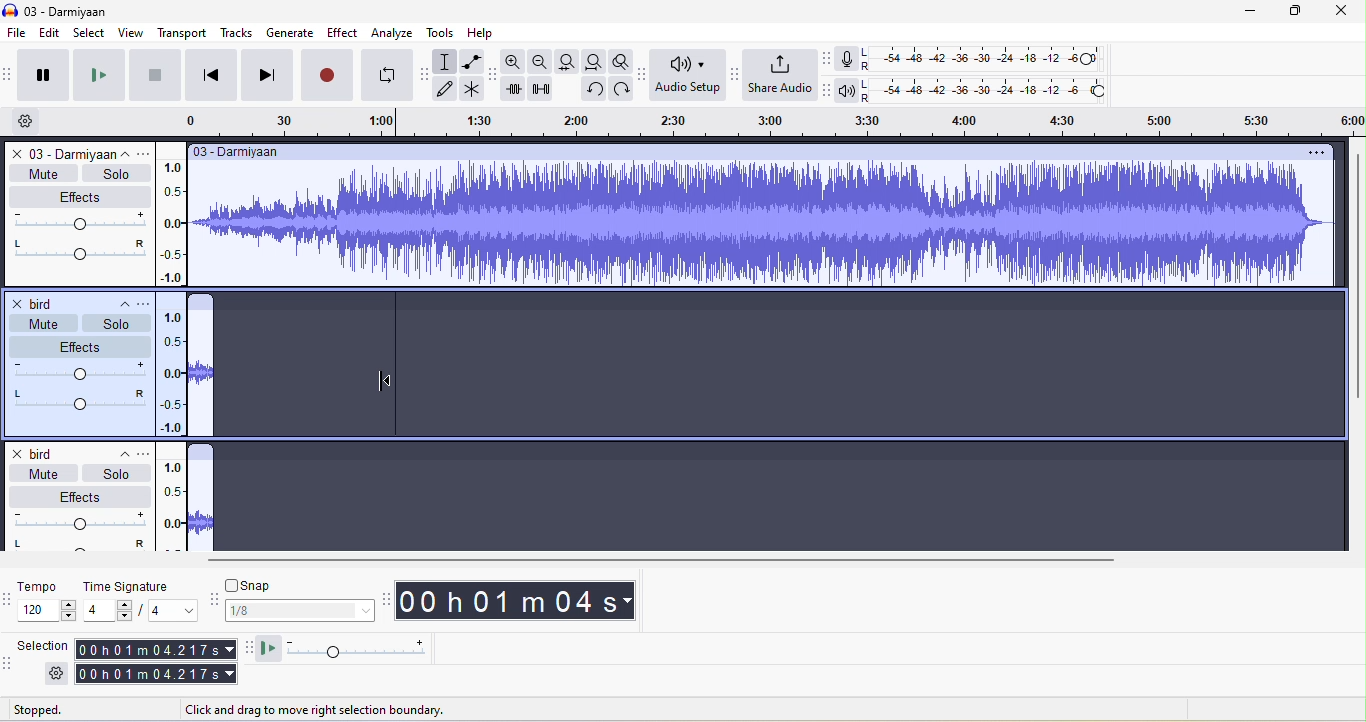 This screenshot has width=1366, height=722. Describe the element at coordinates (847, 62) in the screenshot. I see `record meter` at that location.